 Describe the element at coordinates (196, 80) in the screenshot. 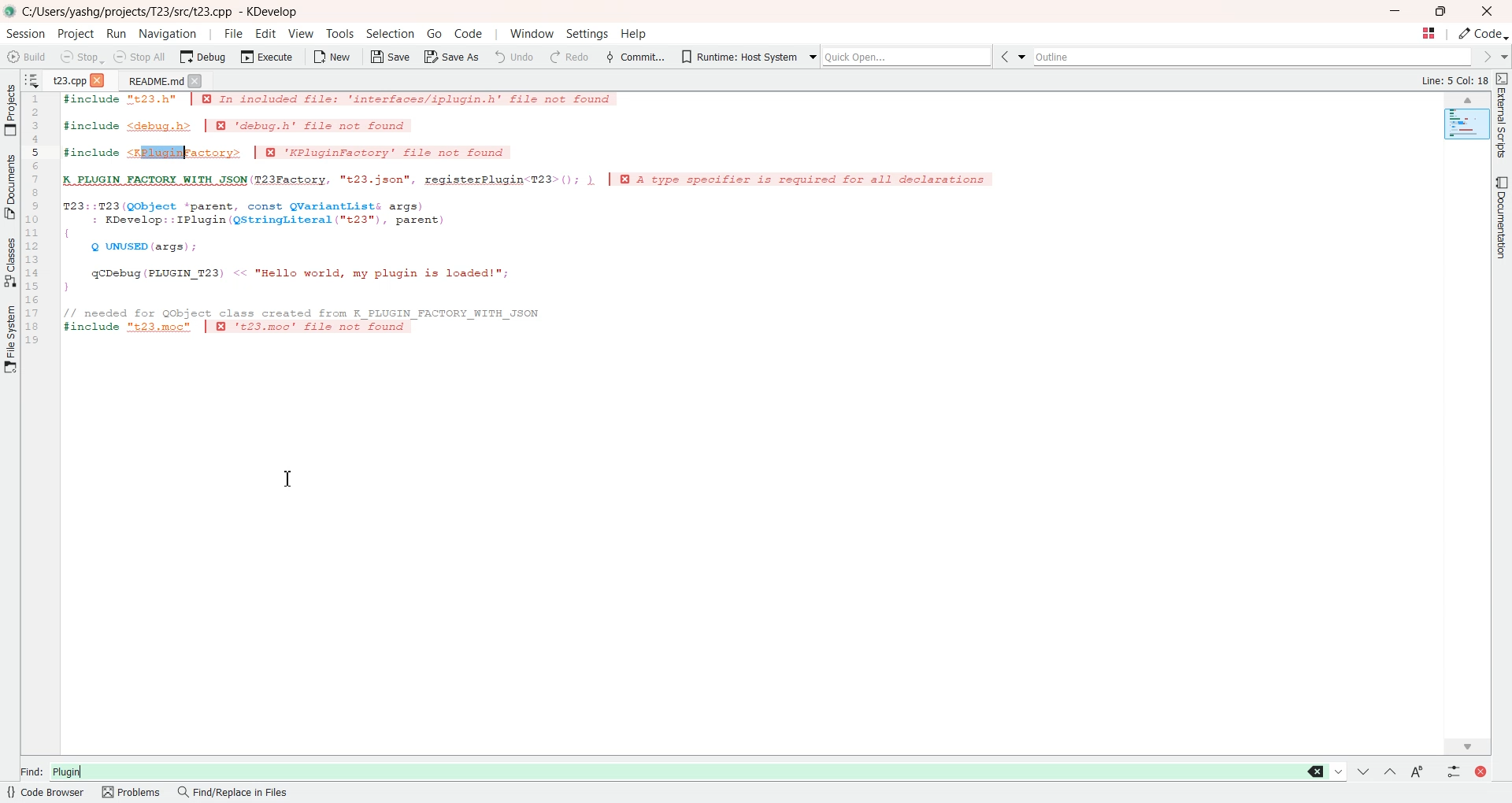

I see `Close` at that location.